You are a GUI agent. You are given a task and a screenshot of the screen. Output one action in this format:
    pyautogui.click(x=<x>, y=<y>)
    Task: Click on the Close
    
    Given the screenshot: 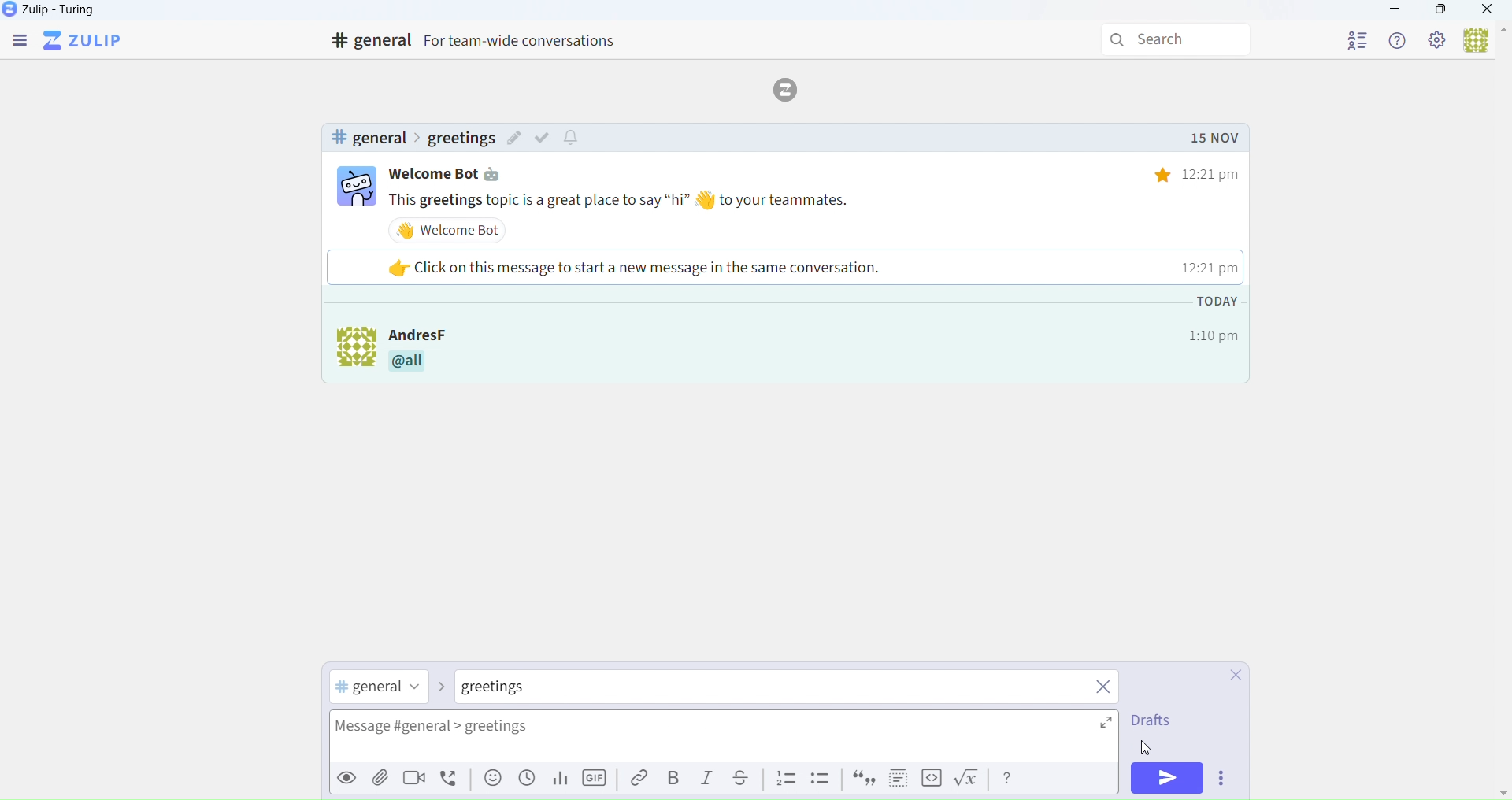 What is the action you would take?
    pyautogui.click(x=1228, y=676)
    